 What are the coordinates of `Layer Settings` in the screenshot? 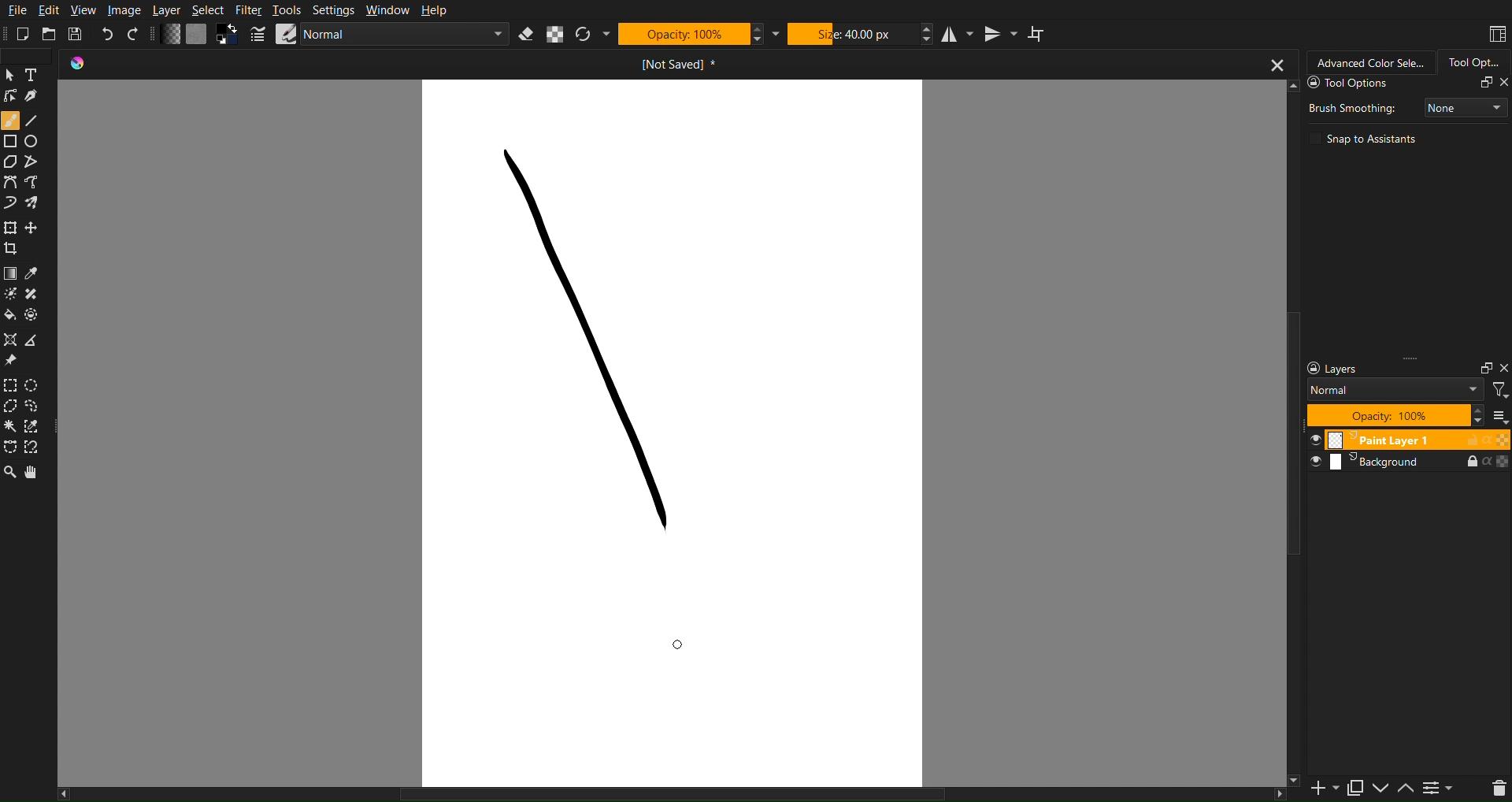 It's located at (1388, 369).